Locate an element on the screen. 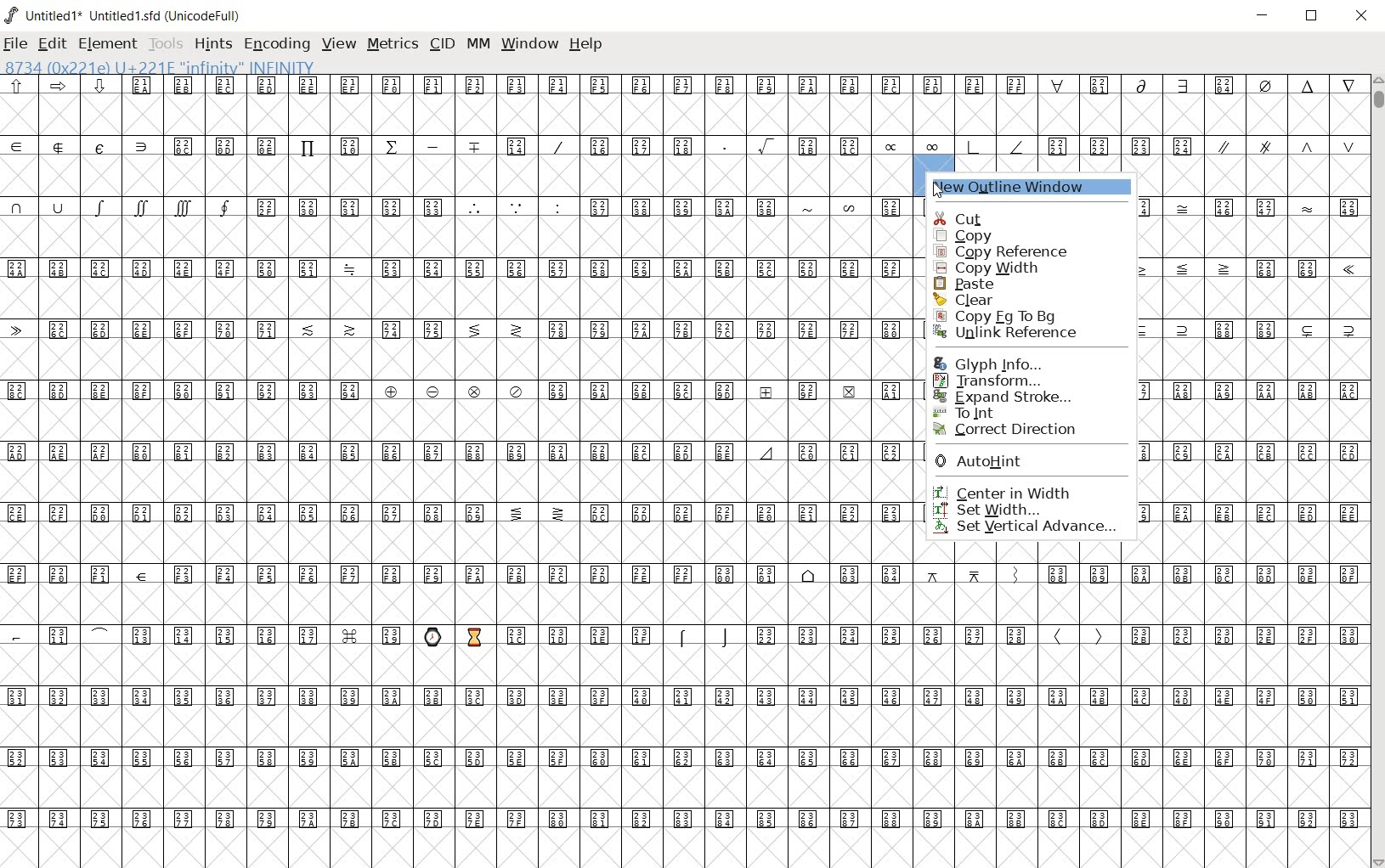 This screenshot has width=1385, height=868. Unicode code points is located at coordinates (688, 816).